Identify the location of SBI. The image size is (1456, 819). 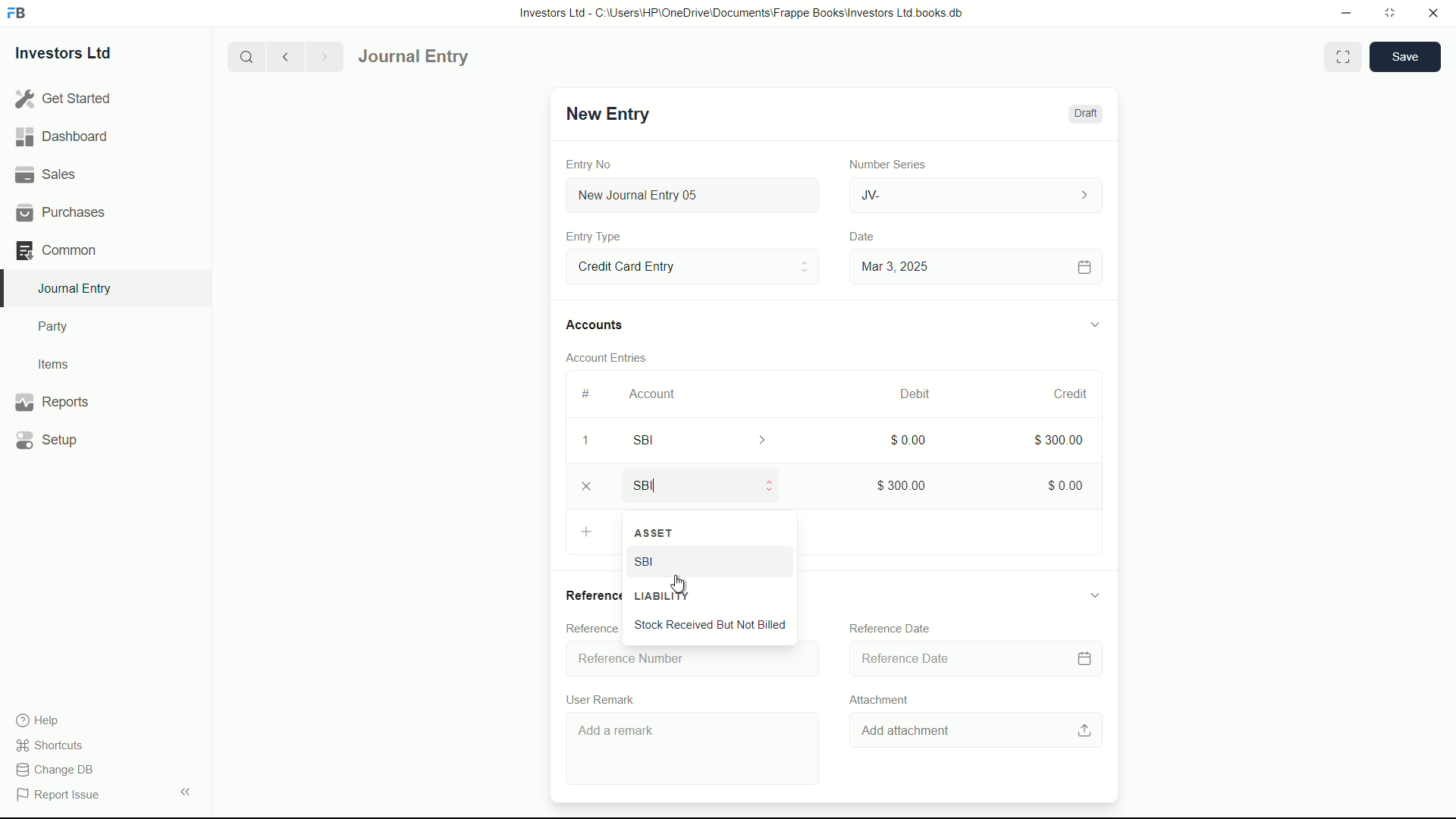
(704, 485).